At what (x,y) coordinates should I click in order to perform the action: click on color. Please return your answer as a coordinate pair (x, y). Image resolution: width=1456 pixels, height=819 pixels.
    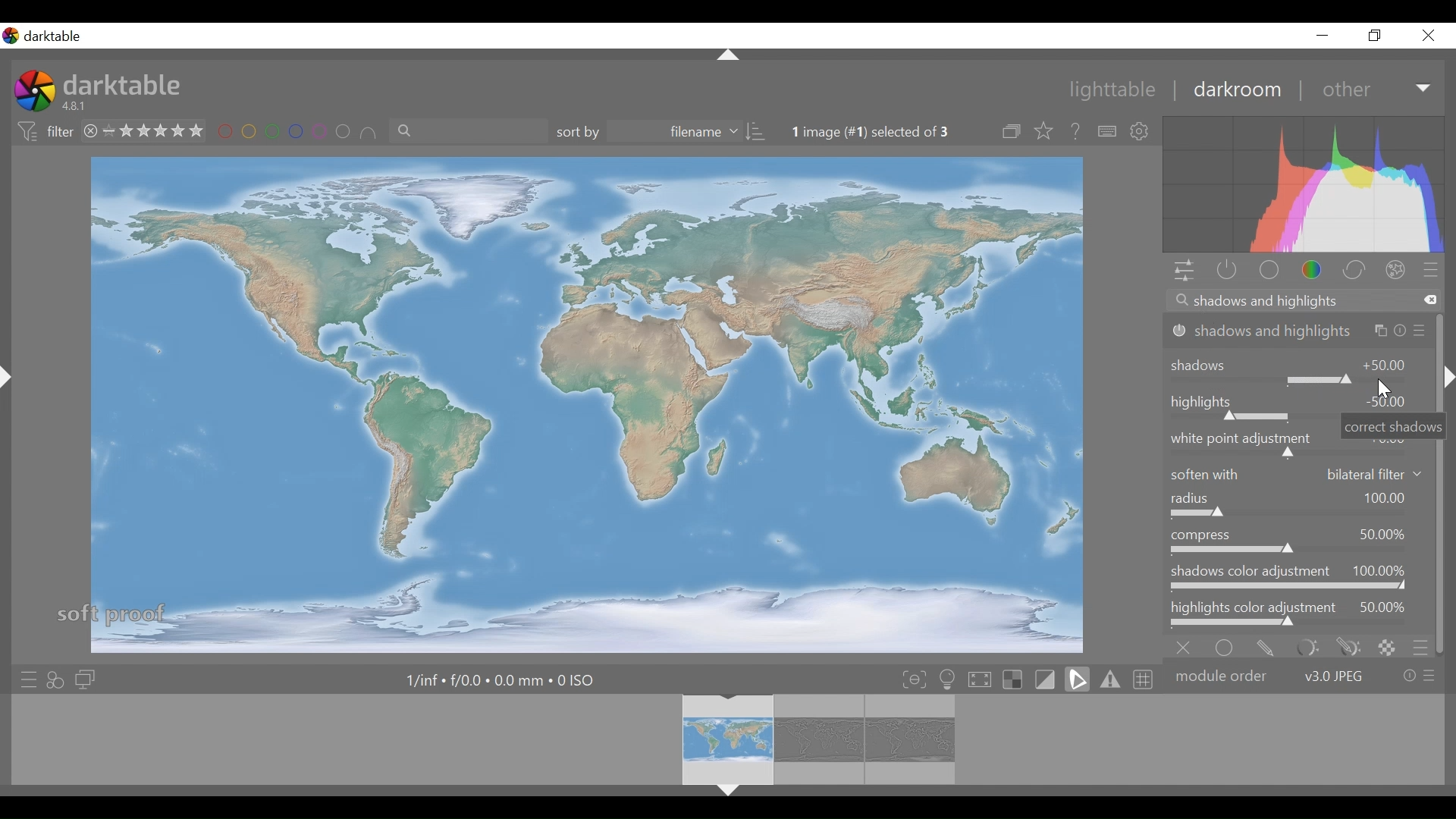
    Looking at the image, I should click on (1313, 270).